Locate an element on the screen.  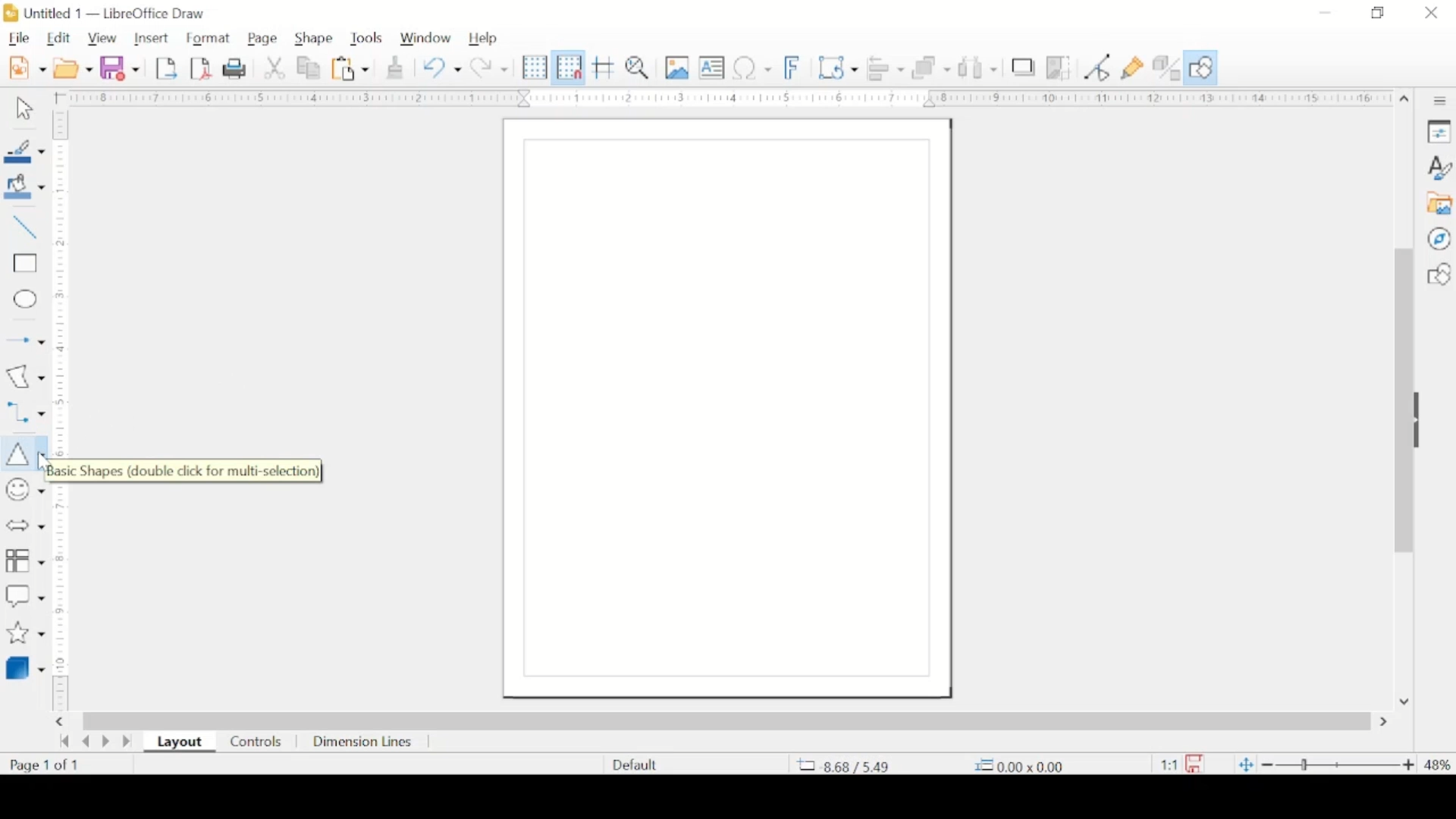
connectors is located at coordinates (24, 410).